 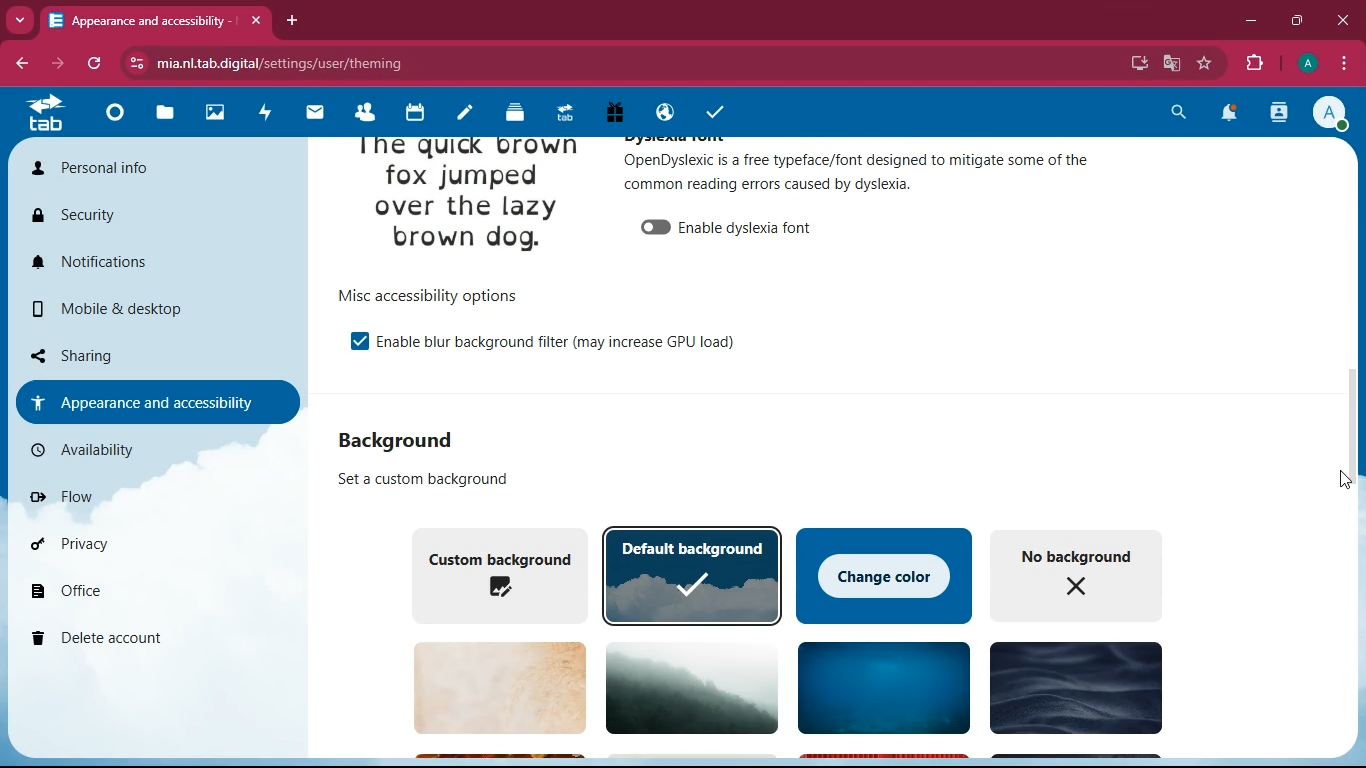 I want to click on close, so click(x=1342, y=19).